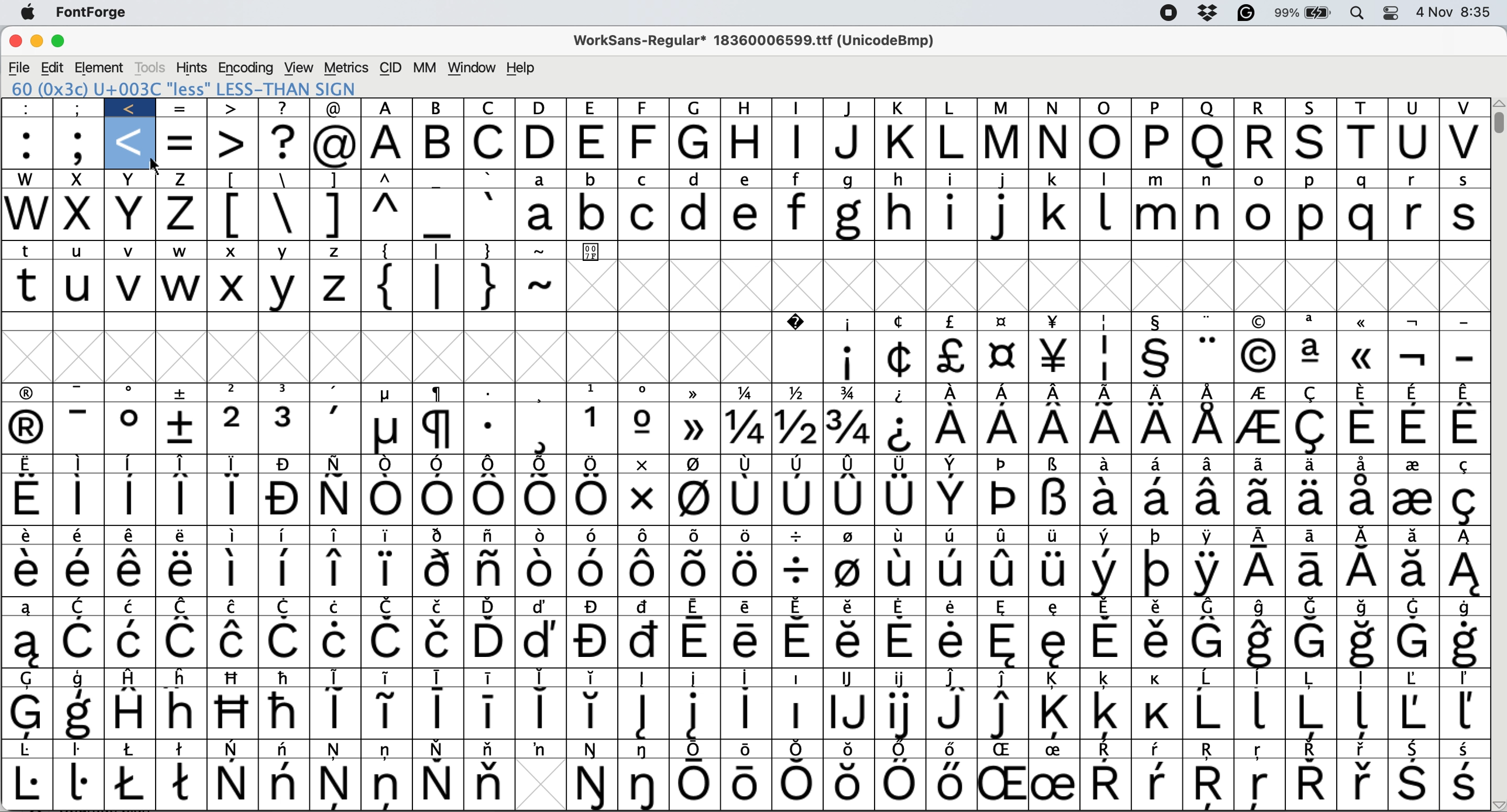  What do you see at coordinates (489, 710) in the screenshot?
I see `Symbol` at bounding box center [489, 710].